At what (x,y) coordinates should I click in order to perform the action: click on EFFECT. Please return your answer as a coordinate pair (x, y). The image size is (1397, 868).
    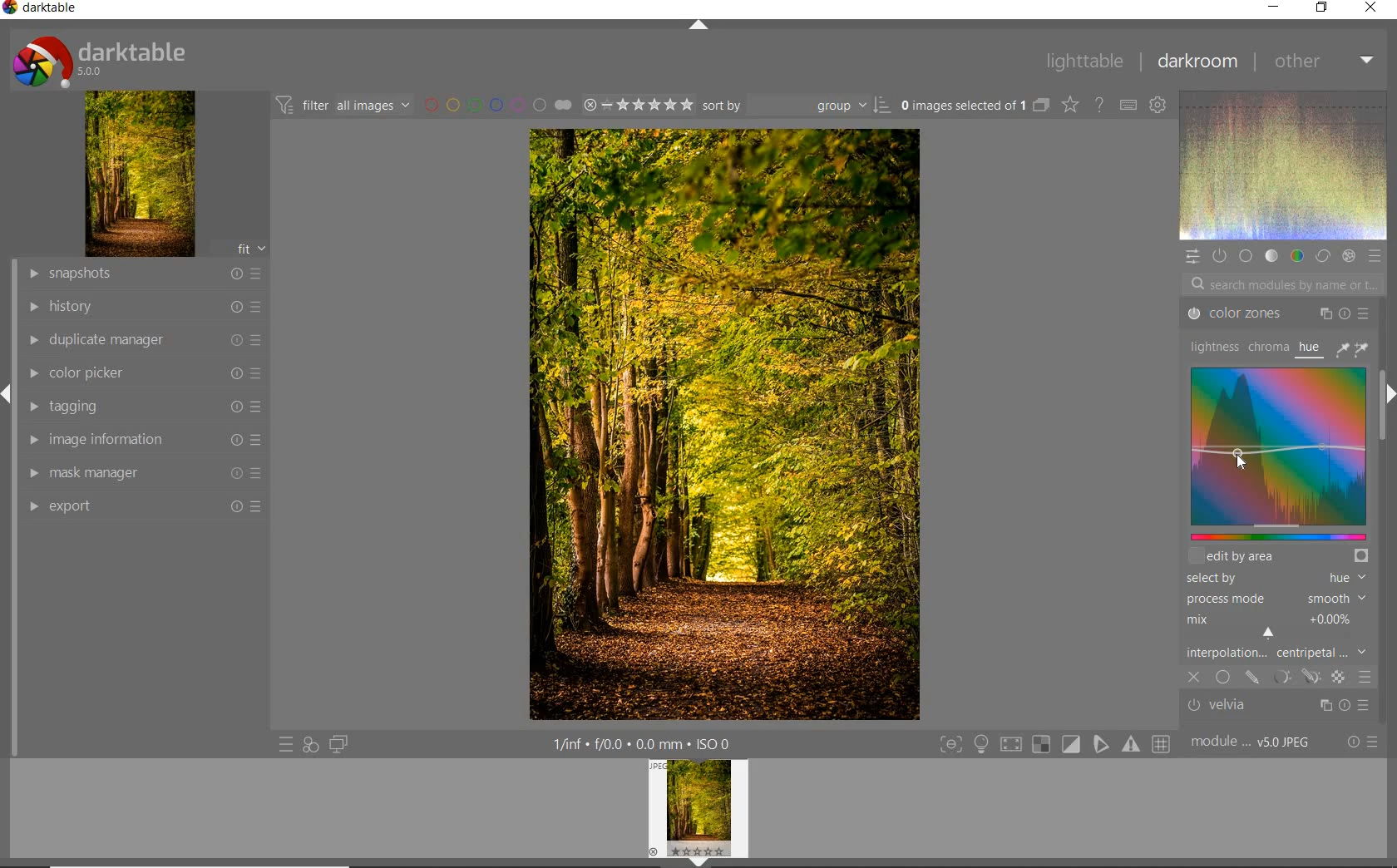
    Looking at the image, I should click on (1348, 255).